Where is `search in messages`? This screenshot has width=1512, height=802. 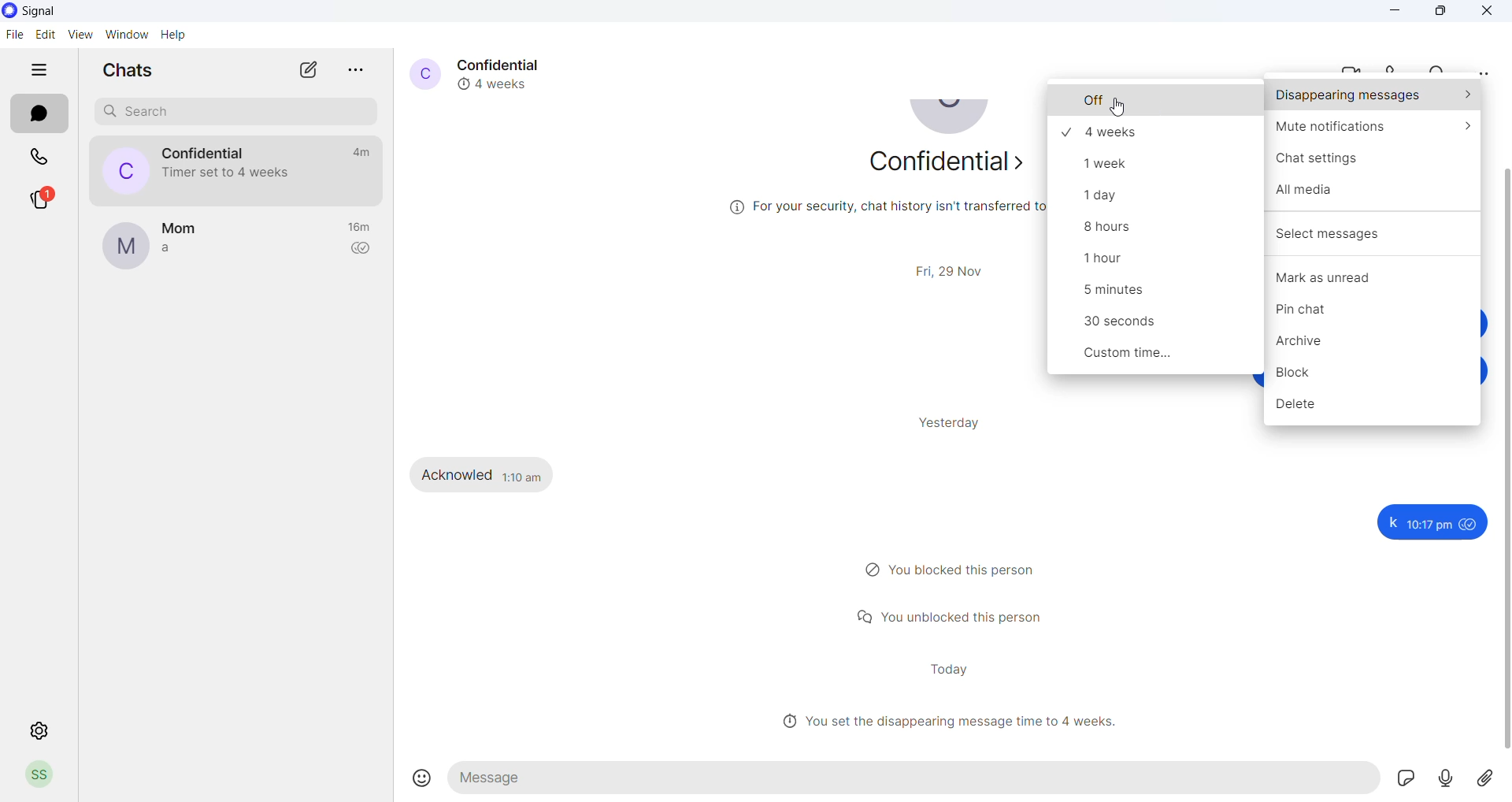
search in messages is located at coordinates (1440, 67).